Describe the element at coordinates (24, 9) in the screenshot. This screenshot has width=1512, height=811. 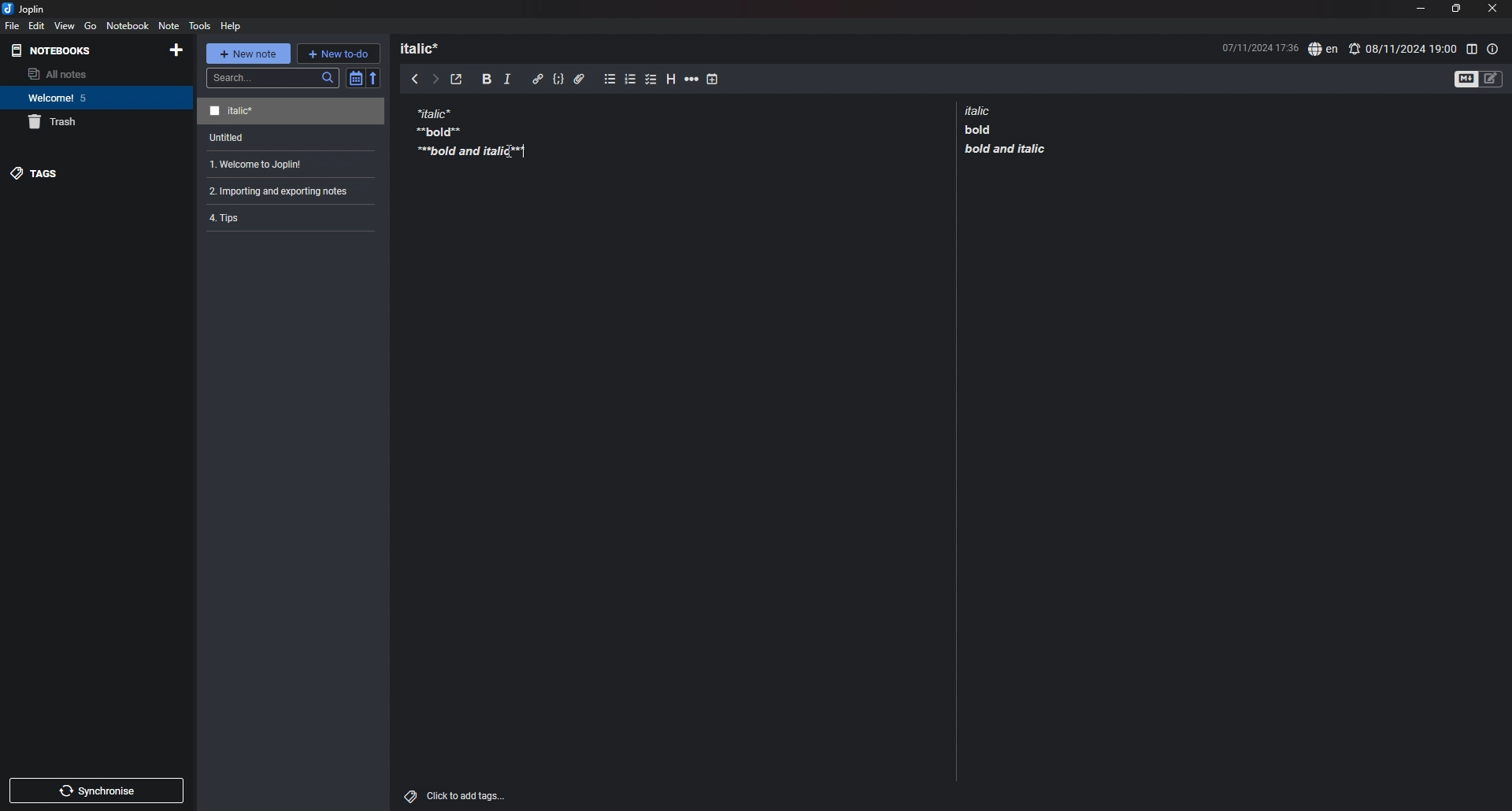
I see `joplin` at that location.